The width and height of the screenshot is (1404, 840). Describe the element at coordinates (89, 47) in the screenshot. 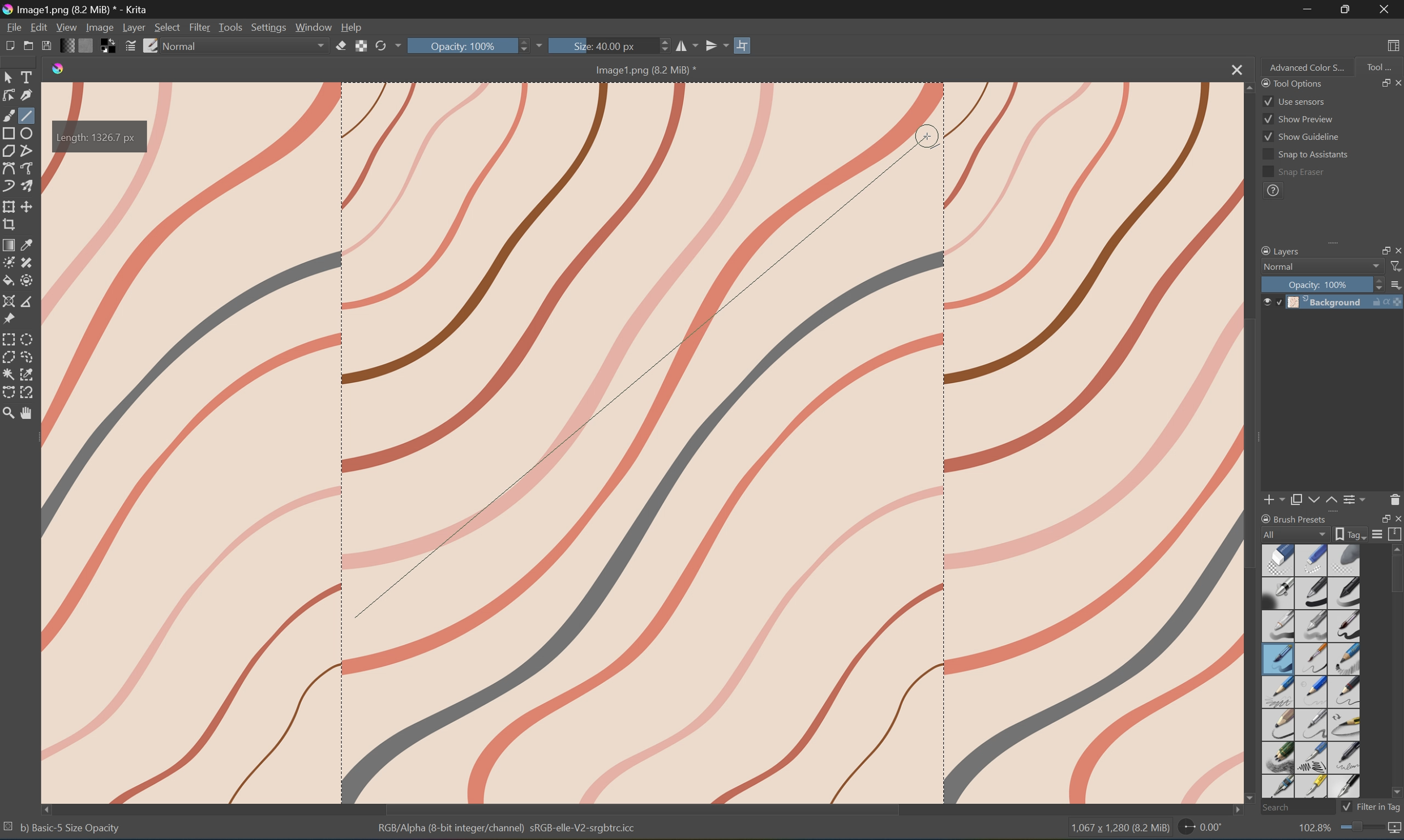

I see `Fill patterns` at that location.